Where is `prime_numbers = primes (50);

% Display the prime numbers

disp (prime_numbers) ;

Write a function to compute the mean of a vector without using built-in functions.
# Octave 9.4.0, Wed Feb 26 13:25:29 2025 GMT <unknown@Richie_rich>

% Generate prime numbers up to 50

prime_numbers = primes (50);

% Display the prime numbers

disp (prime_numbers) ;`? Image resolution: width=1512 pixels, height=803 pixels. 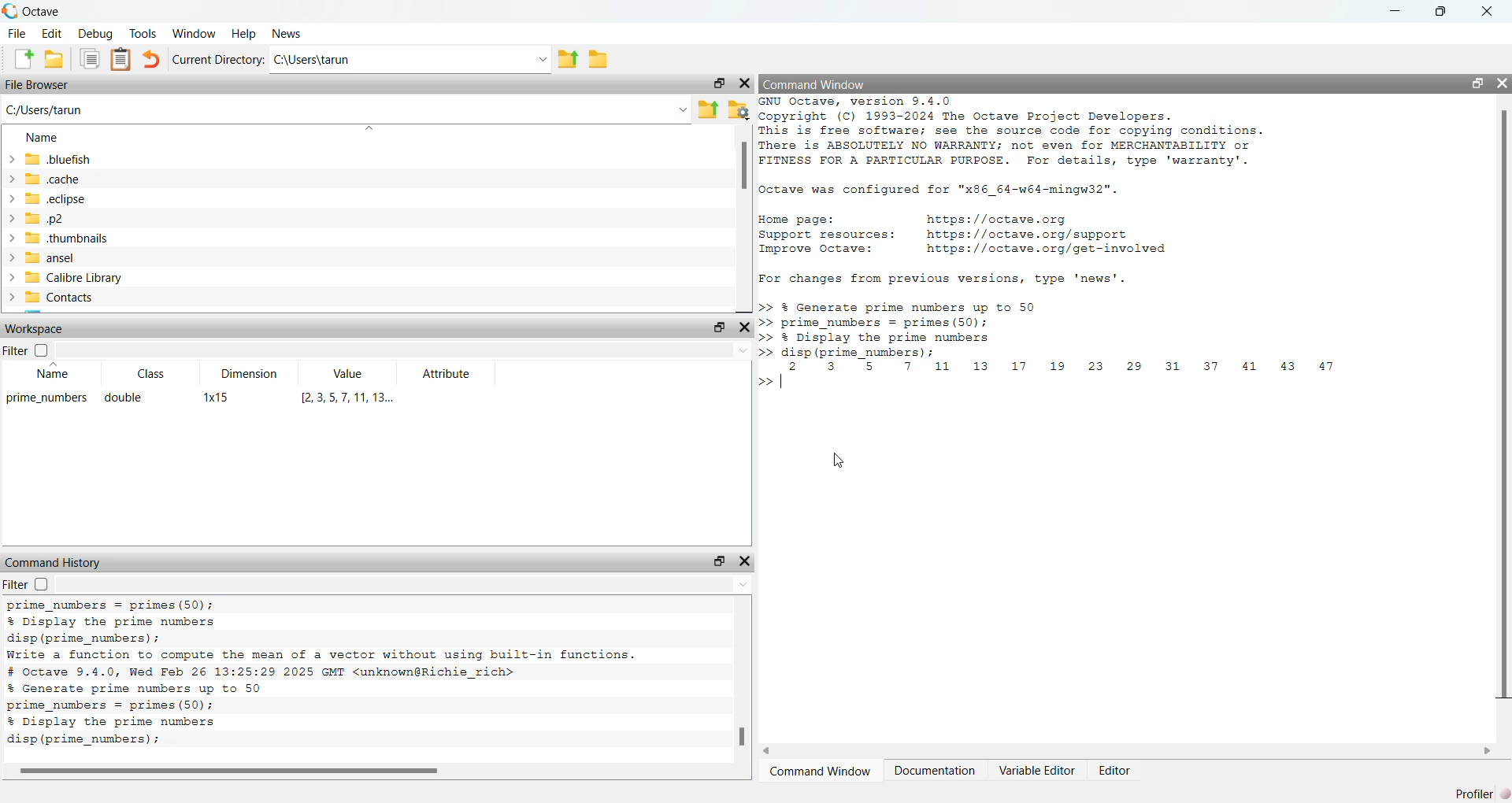
prime_numbers = primes (50);

% Display the prime numbers

disp (prime_numbers) ;

Write a function to compute the mean of a vector without using built-in functions.
# Octave 9.4.0, Wed Feb 26 13:25:29 2025 GMT <unknown@Richie_rich>

% Generate prime numbers up to 50

prime_numbers = primes (50);

% Display the prime numbers

disp (prime_numbers) ; is located at coordinates (323, 675).